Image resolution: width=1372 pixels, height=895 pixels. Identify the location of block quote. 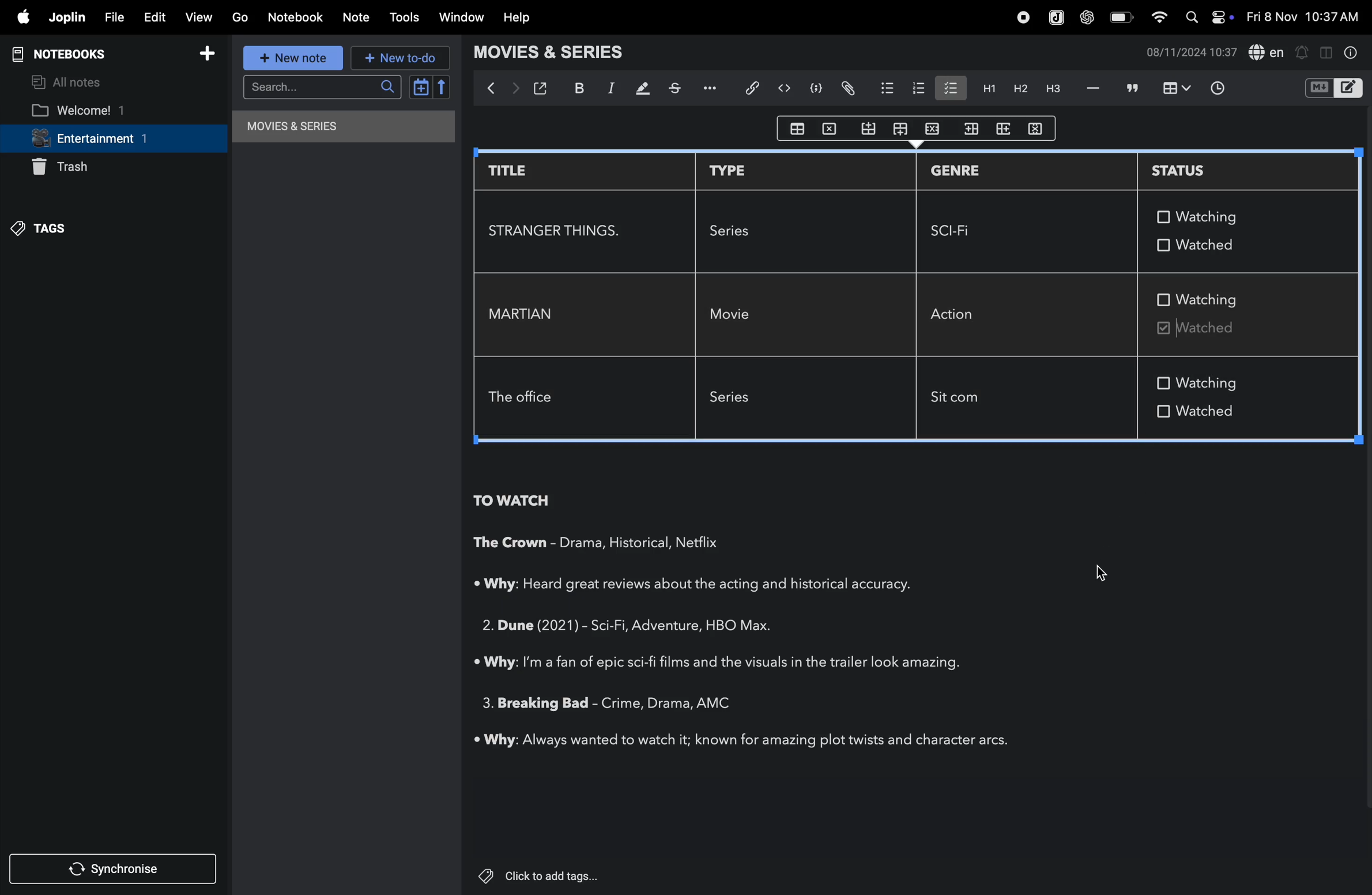
(1132, 88).